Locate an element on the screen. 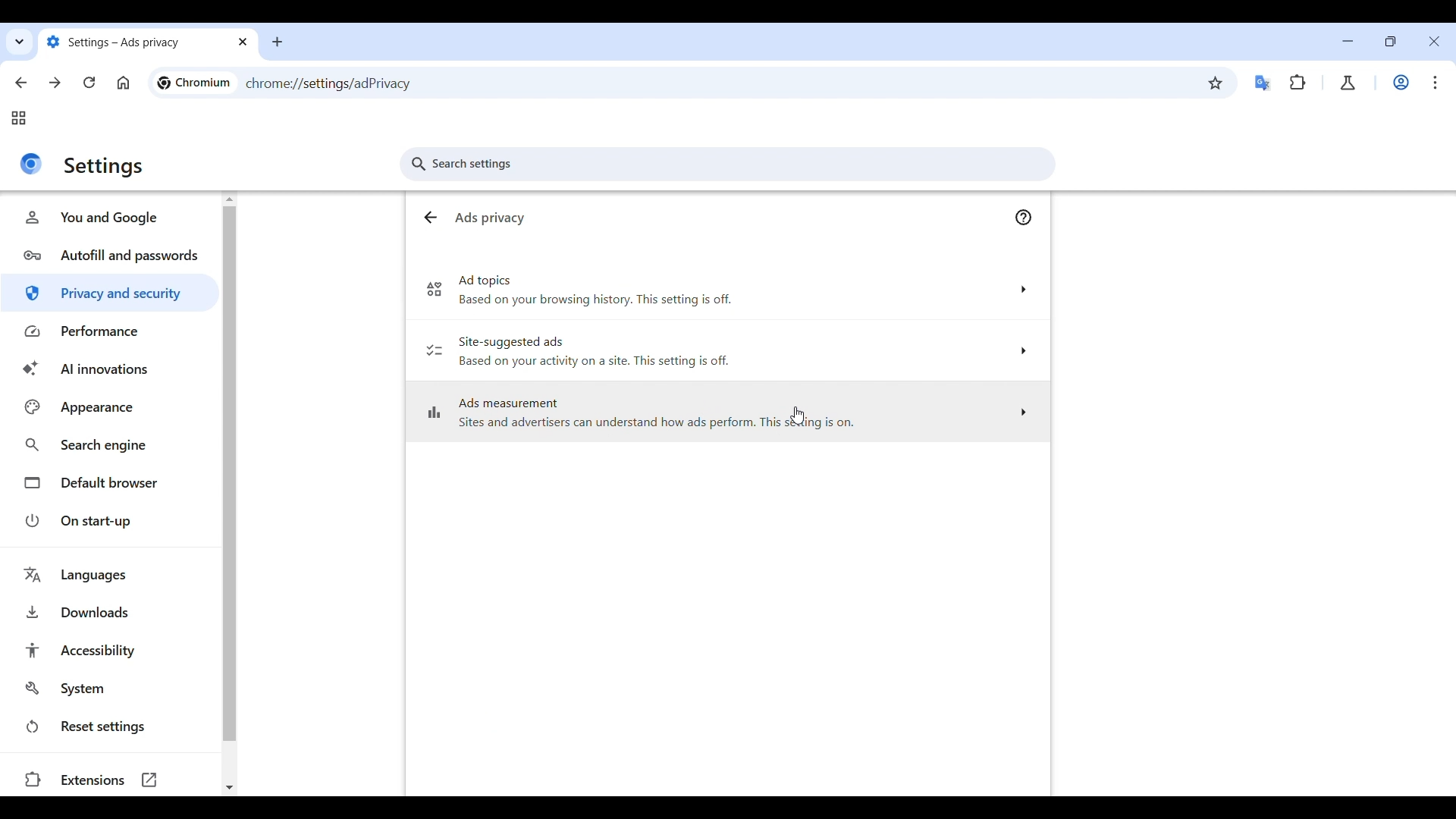 This screenshot has height=819, width=1456. Default browser is located at coordinates (109, 483).